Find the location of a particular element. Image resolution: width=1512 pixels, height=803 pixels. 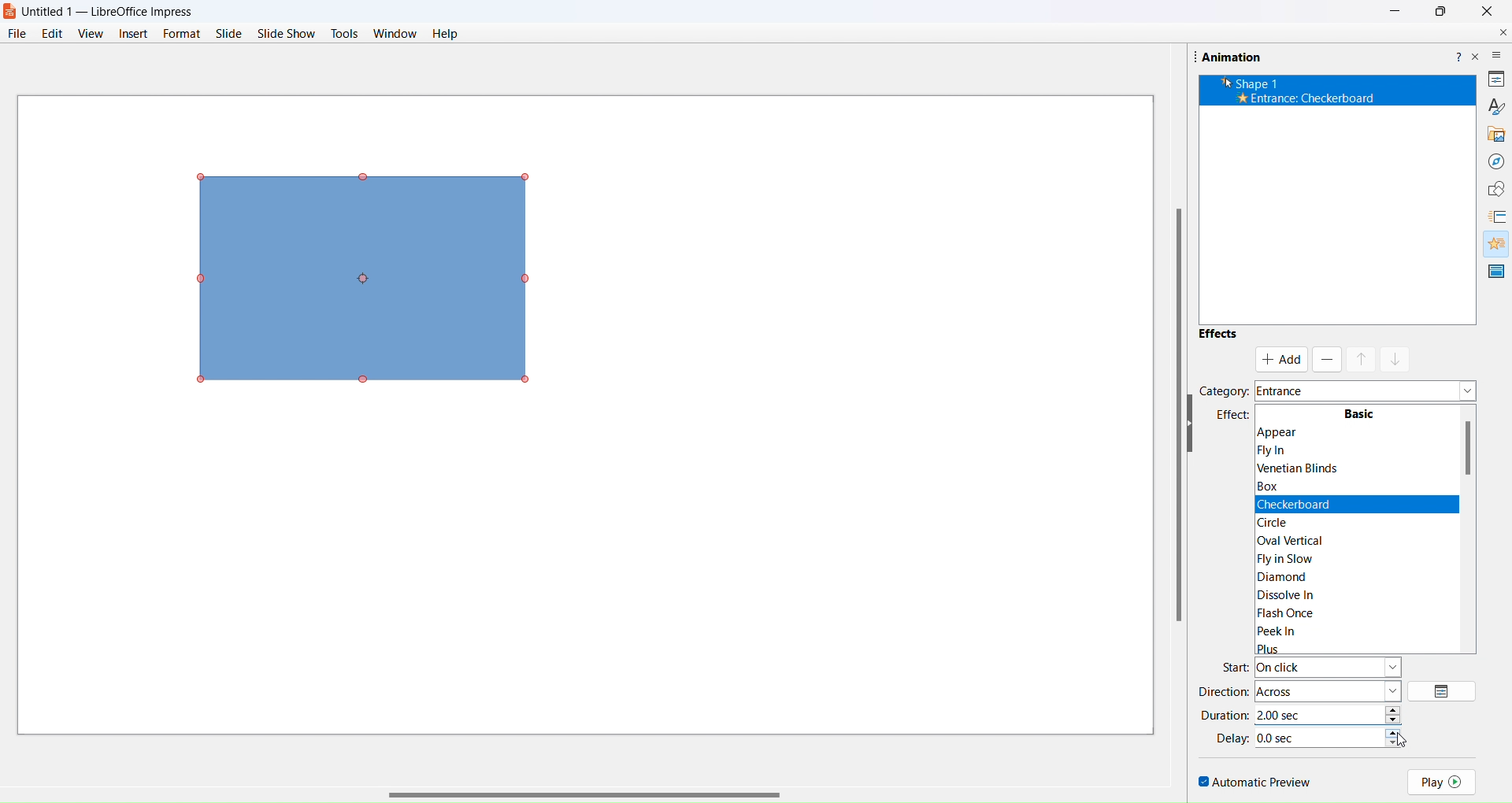

object is located at coordinates (374, 276).